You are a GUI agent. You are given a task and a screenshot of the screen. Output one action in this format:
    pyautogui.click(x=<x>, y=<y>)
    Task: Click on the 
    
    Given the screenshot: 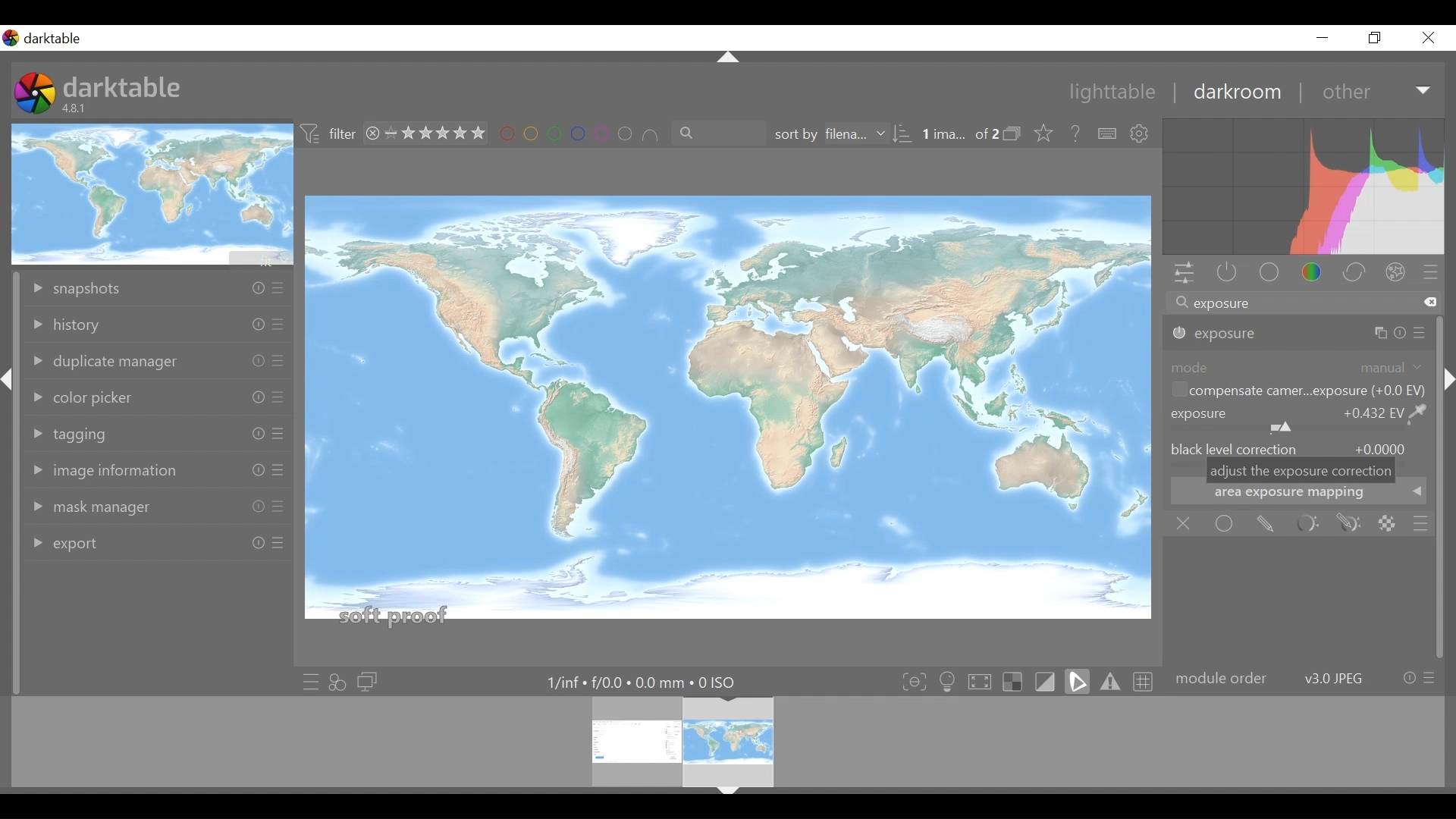 What is the action you would take?
    pyautogui.click(x=9, y=395)
    